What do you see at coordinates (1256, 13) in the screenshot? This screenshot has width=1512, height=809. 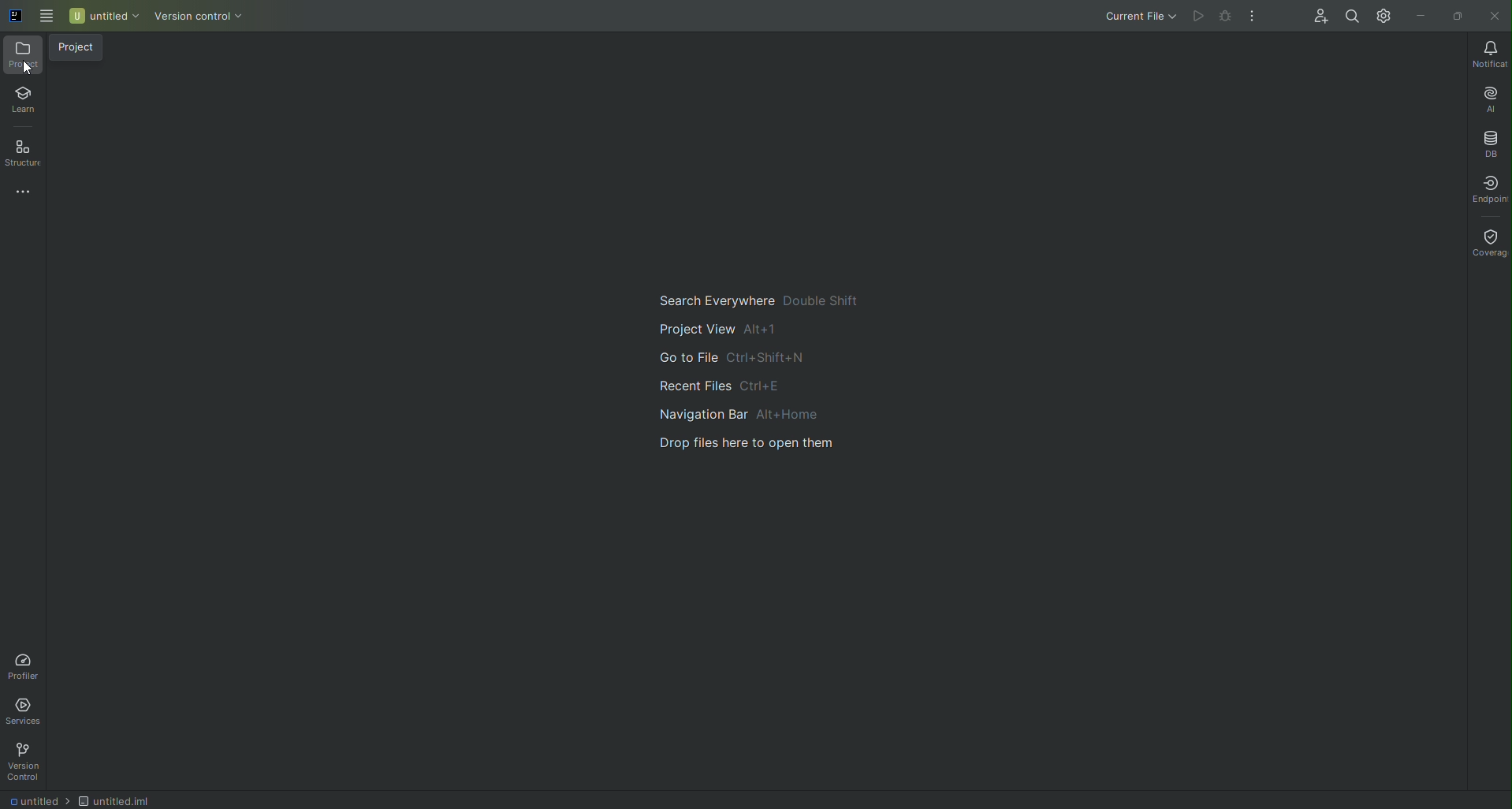 I see `More Actions` at bounding box center [1256, 13].